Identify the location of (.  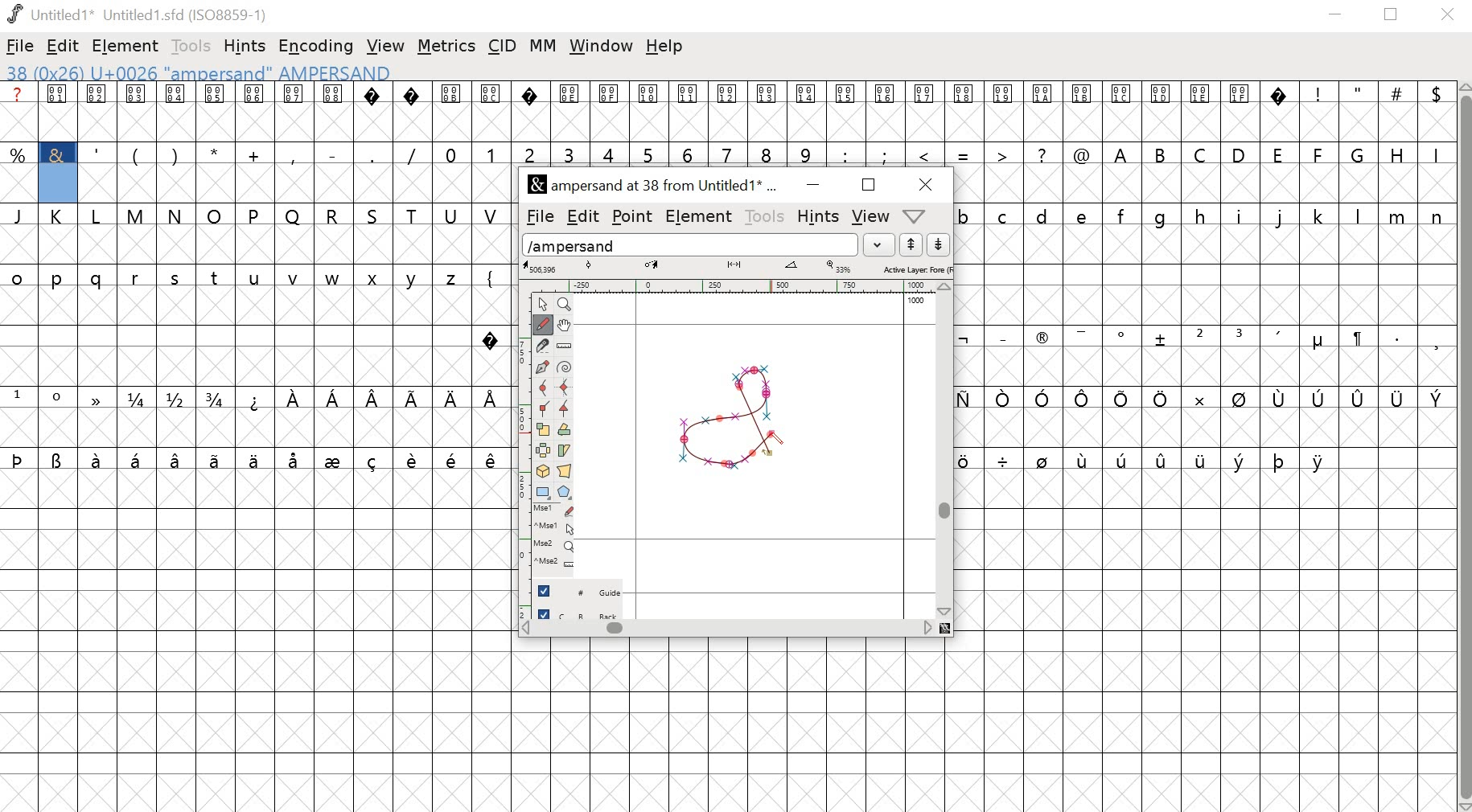
(134, 155).